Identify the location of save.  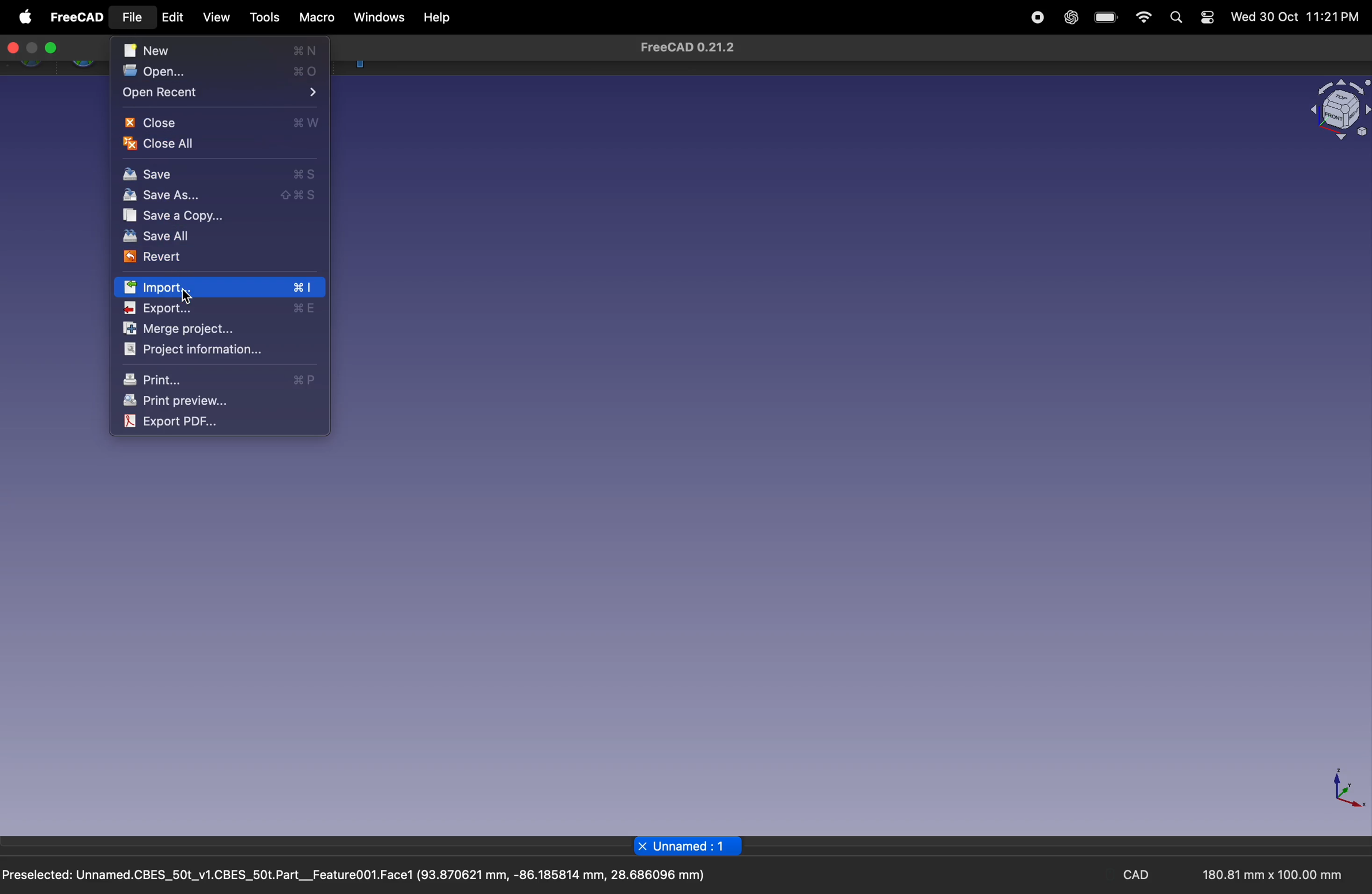
(220, 173).